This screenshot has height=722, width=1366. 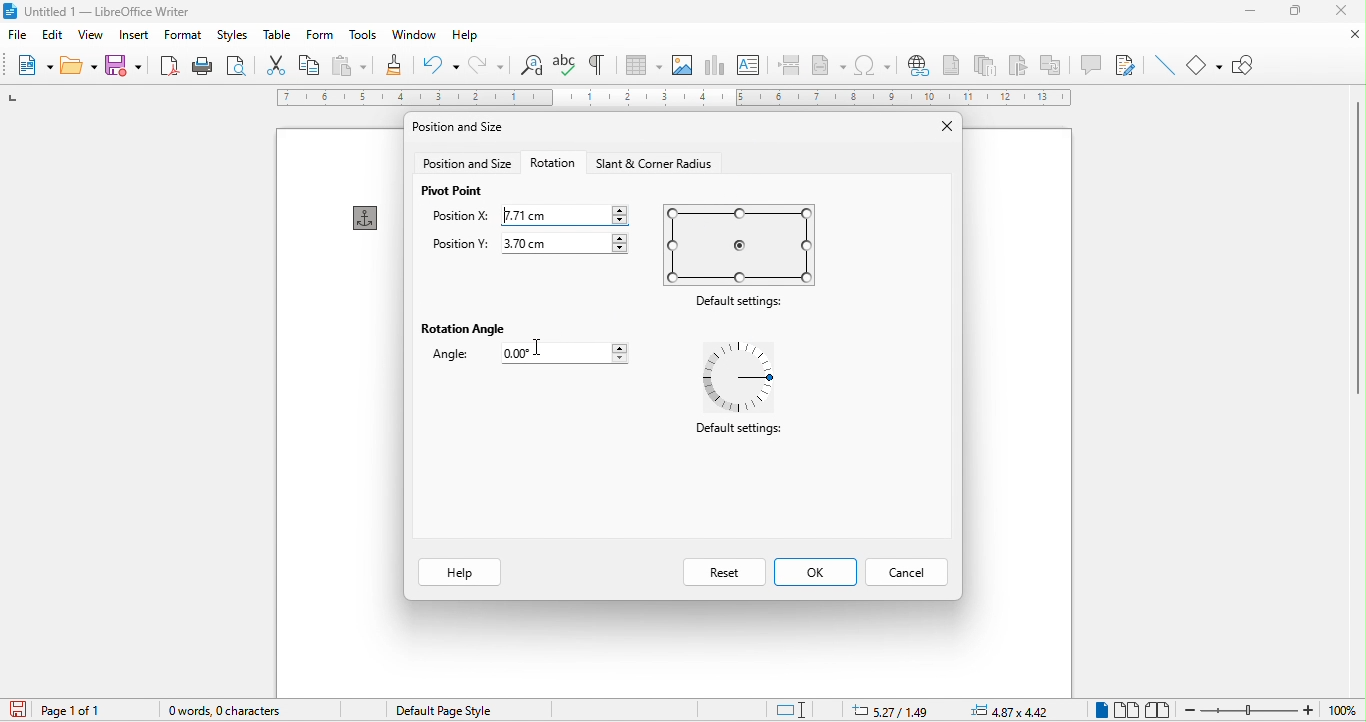 I want to click on close, so click(x=1343, y=11).